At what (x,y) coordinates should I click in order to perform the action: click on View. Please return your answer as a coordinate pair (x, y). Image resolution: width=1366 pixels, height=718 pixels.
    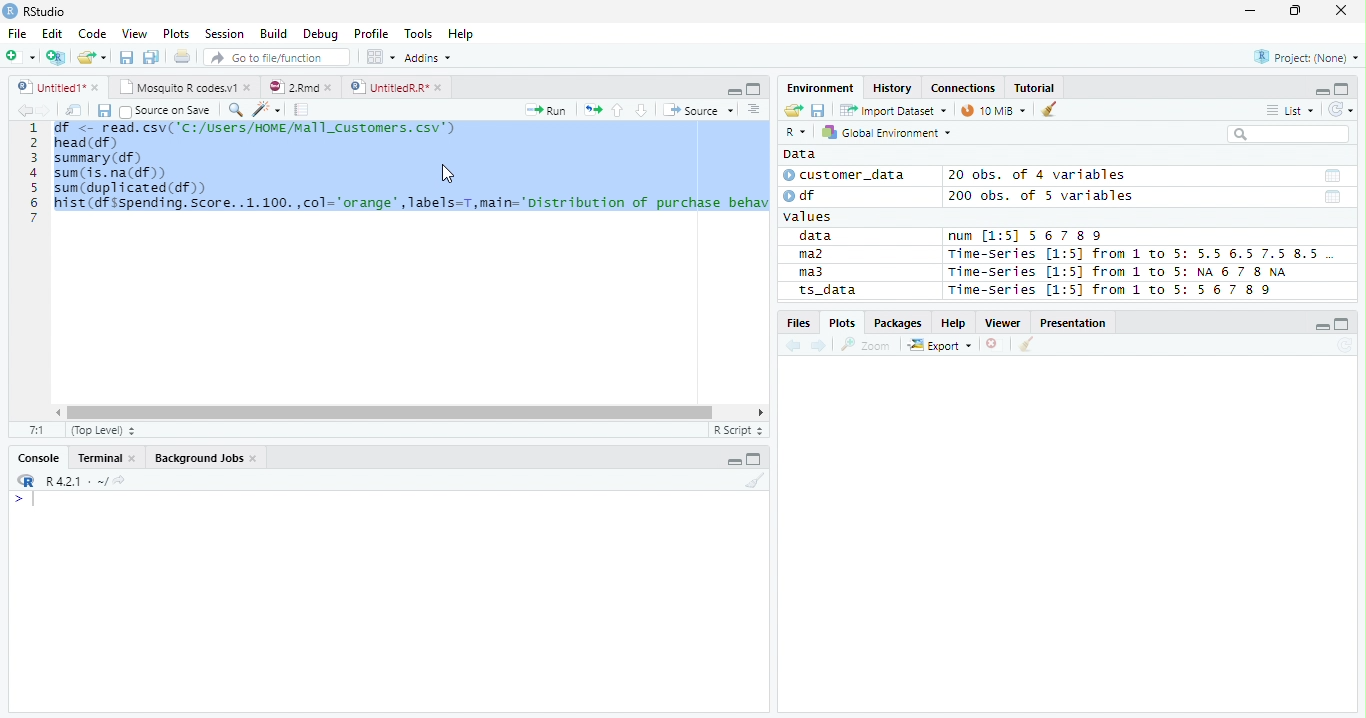
    Looking at the image, I should click on (136, 33).